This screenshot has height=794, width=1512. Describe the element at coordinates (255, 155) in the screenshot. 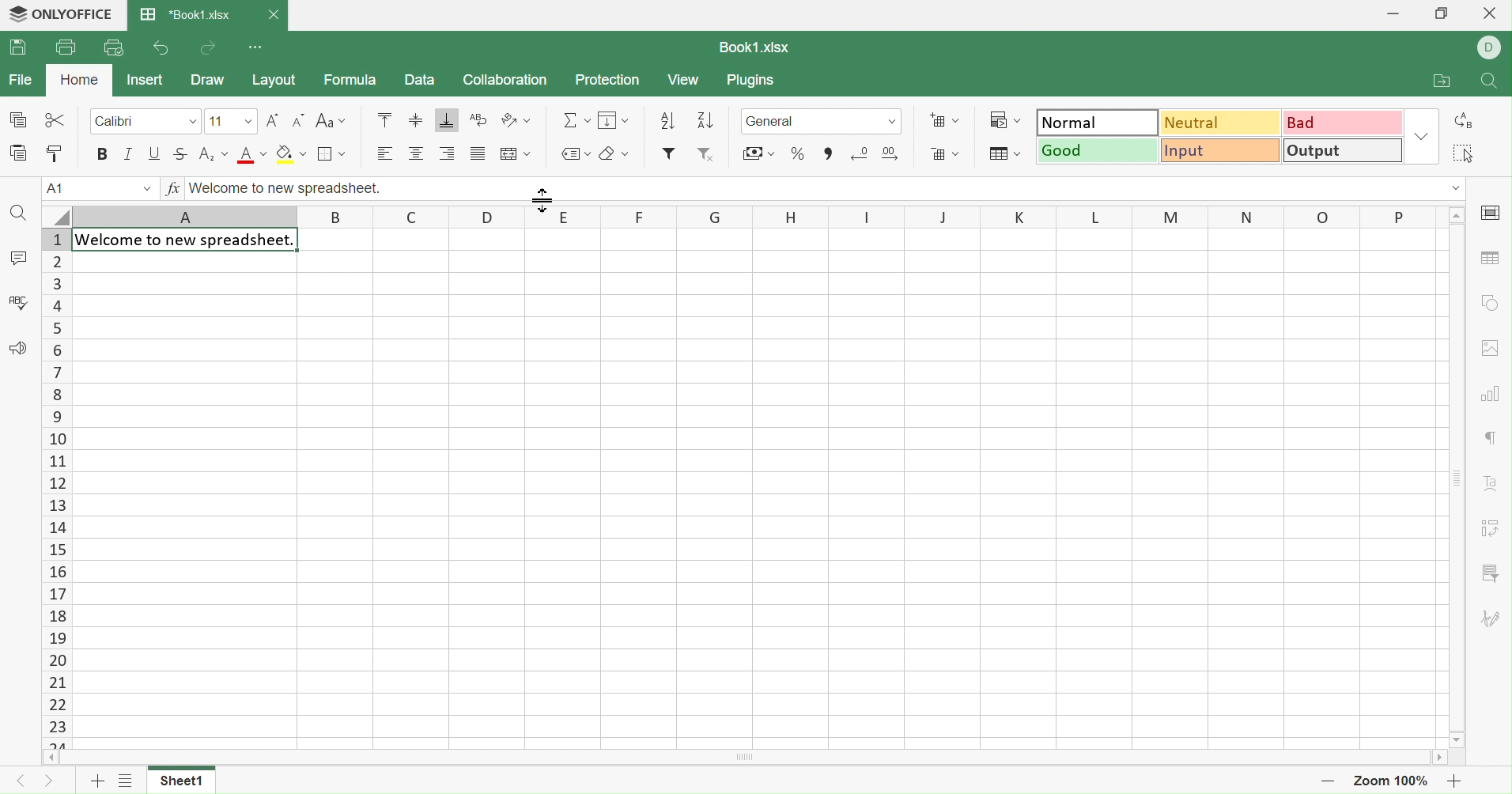

I see `Font color` at that location.